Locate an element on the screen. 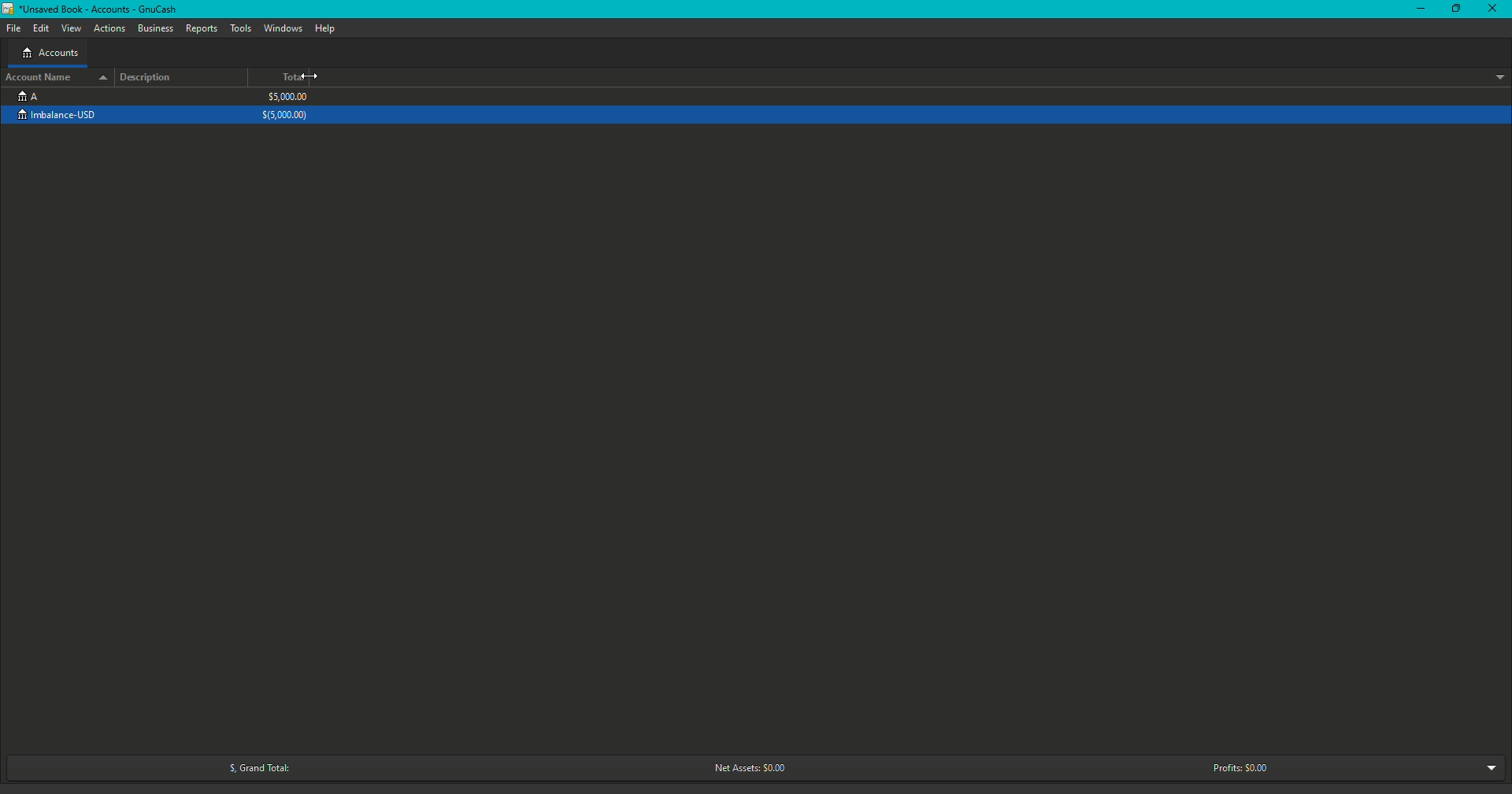  Business is located at coordinates (156, 29).